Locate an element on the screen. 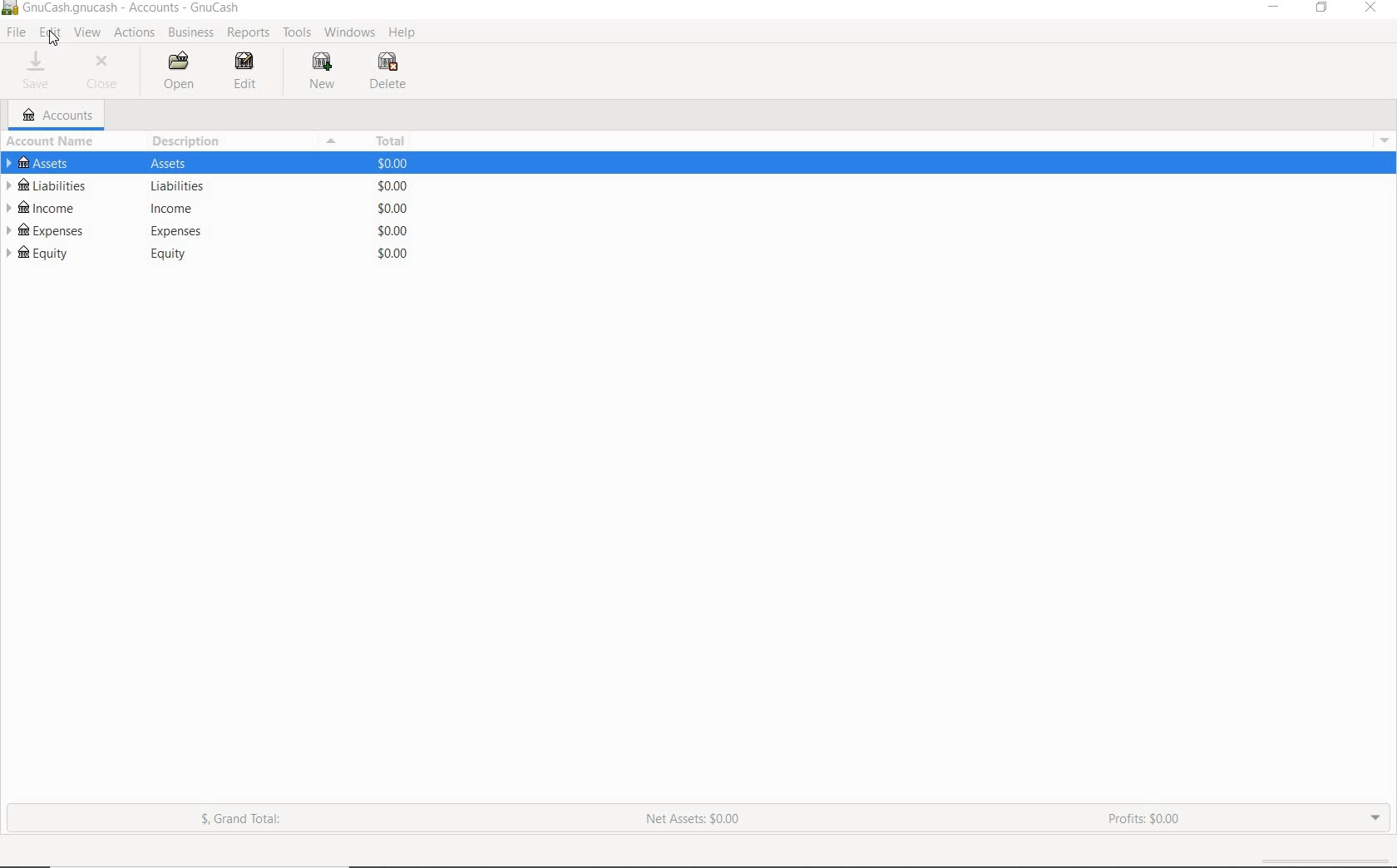  DESCRIPTION is located at coordinates (185, 144).